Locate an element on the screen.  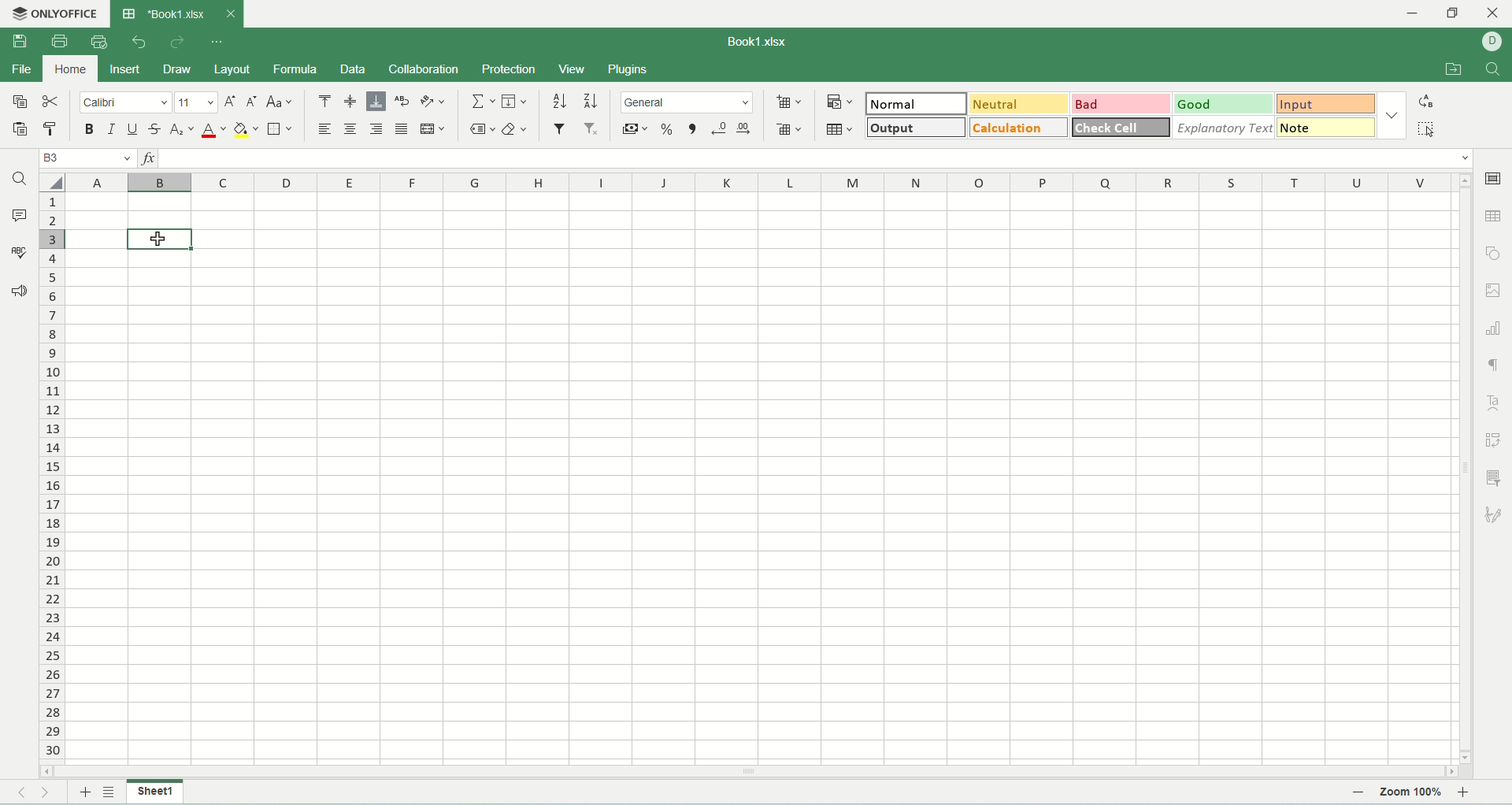
number format is located at coordinates (689, 101).